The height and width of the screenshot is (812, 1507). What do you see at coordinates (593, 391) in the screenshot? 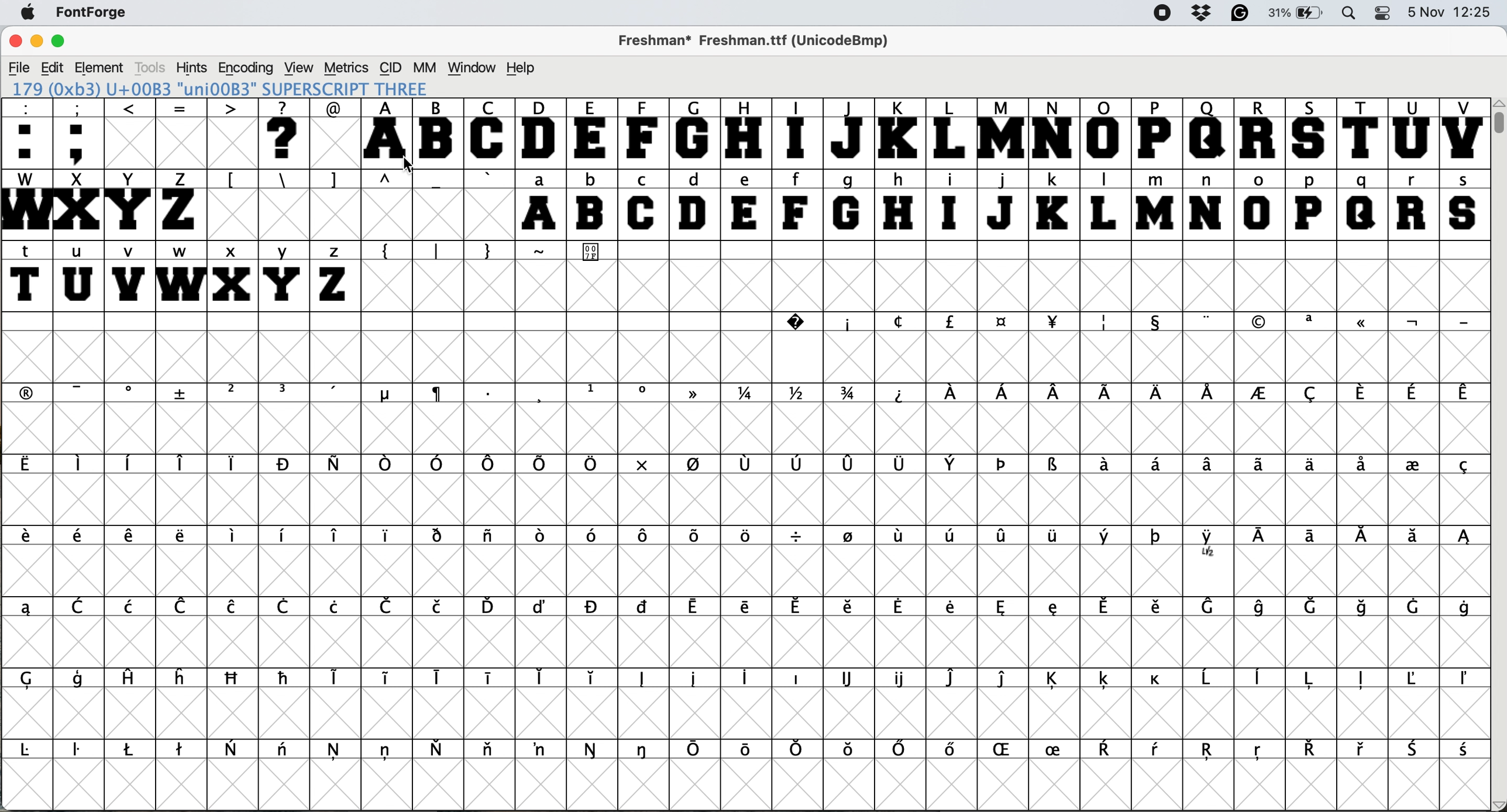
I see `symbol` at bounding box center [593, 391].